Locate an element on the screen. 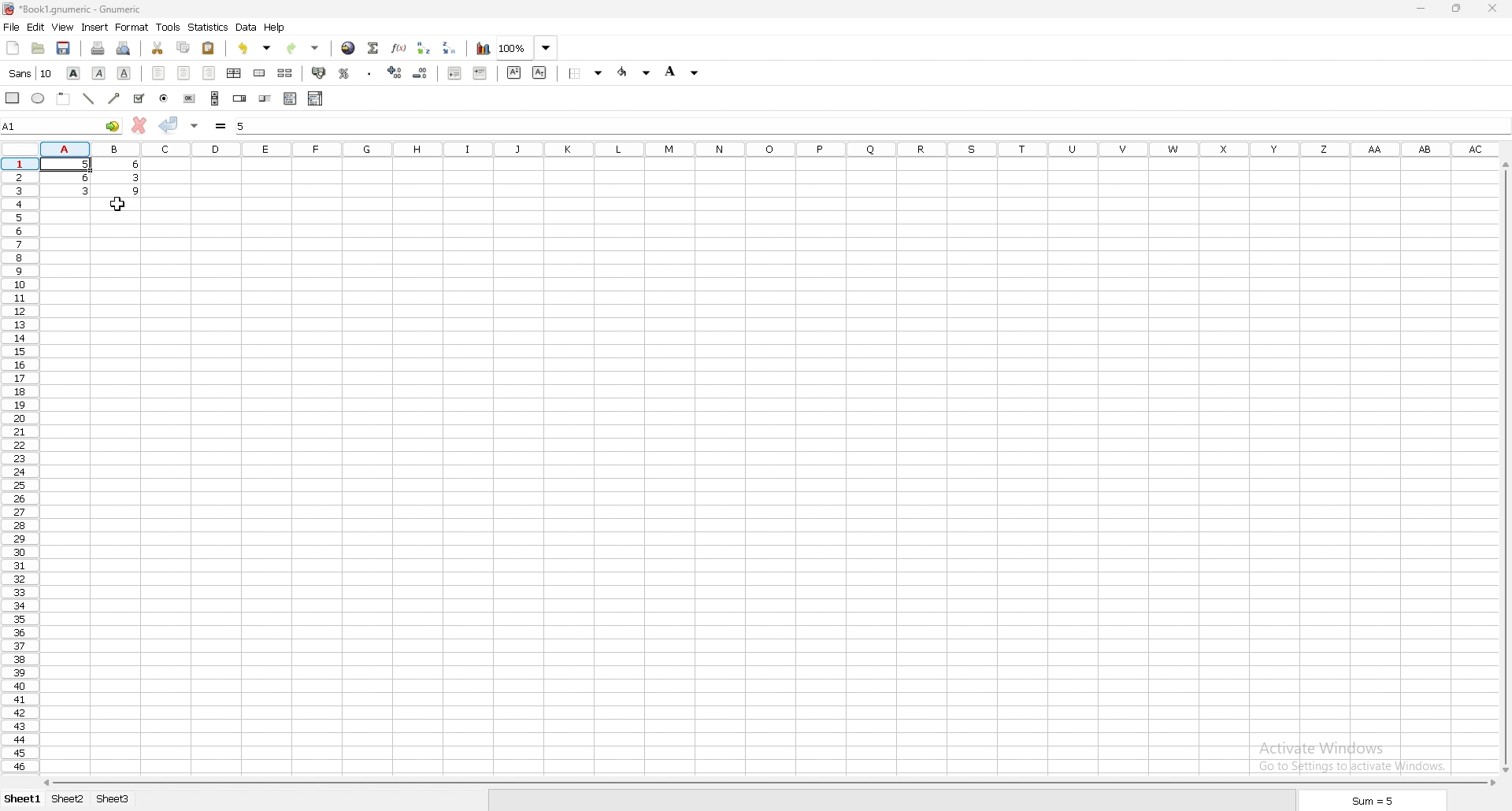 This screenshot has width=1512, height=811. format is located at coordinates (132, 27).